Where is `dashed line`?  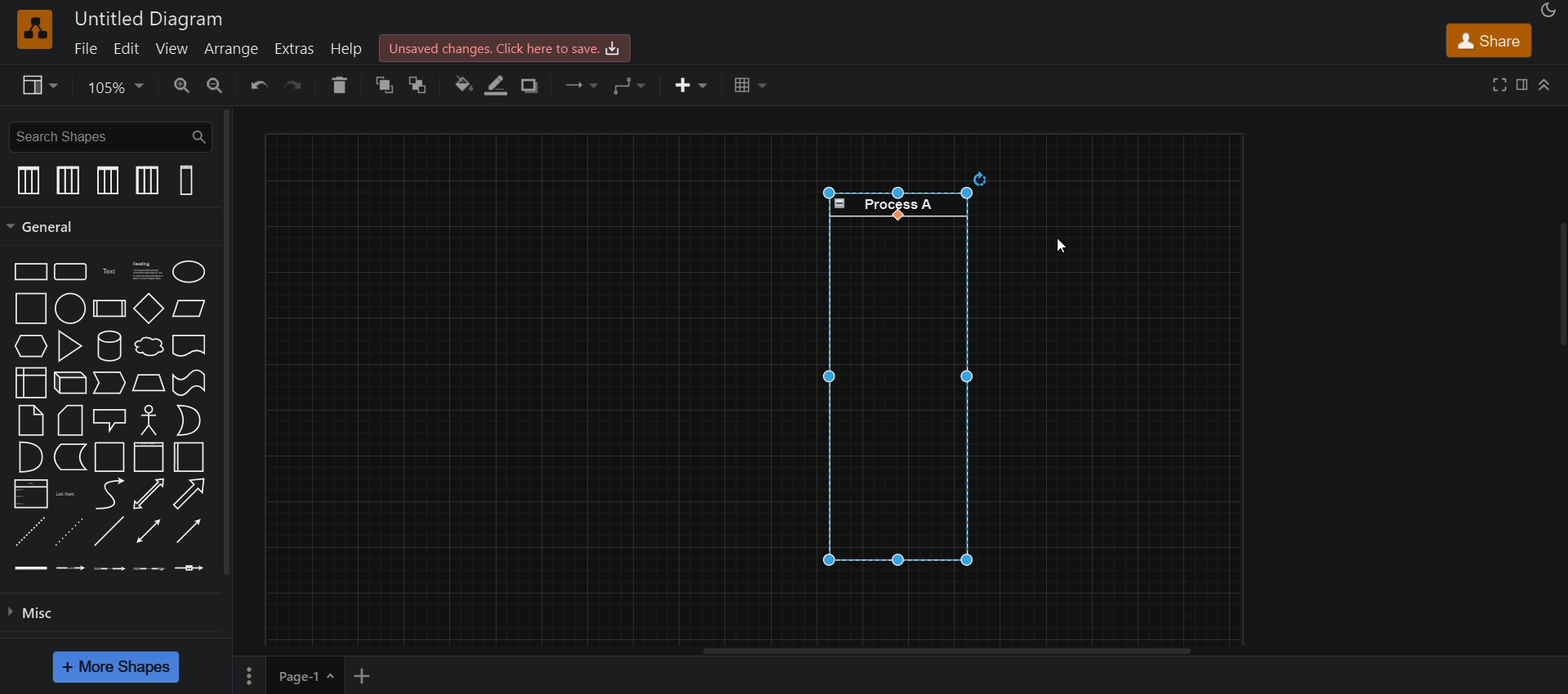
dashed line is located at coordinates (25, 532).